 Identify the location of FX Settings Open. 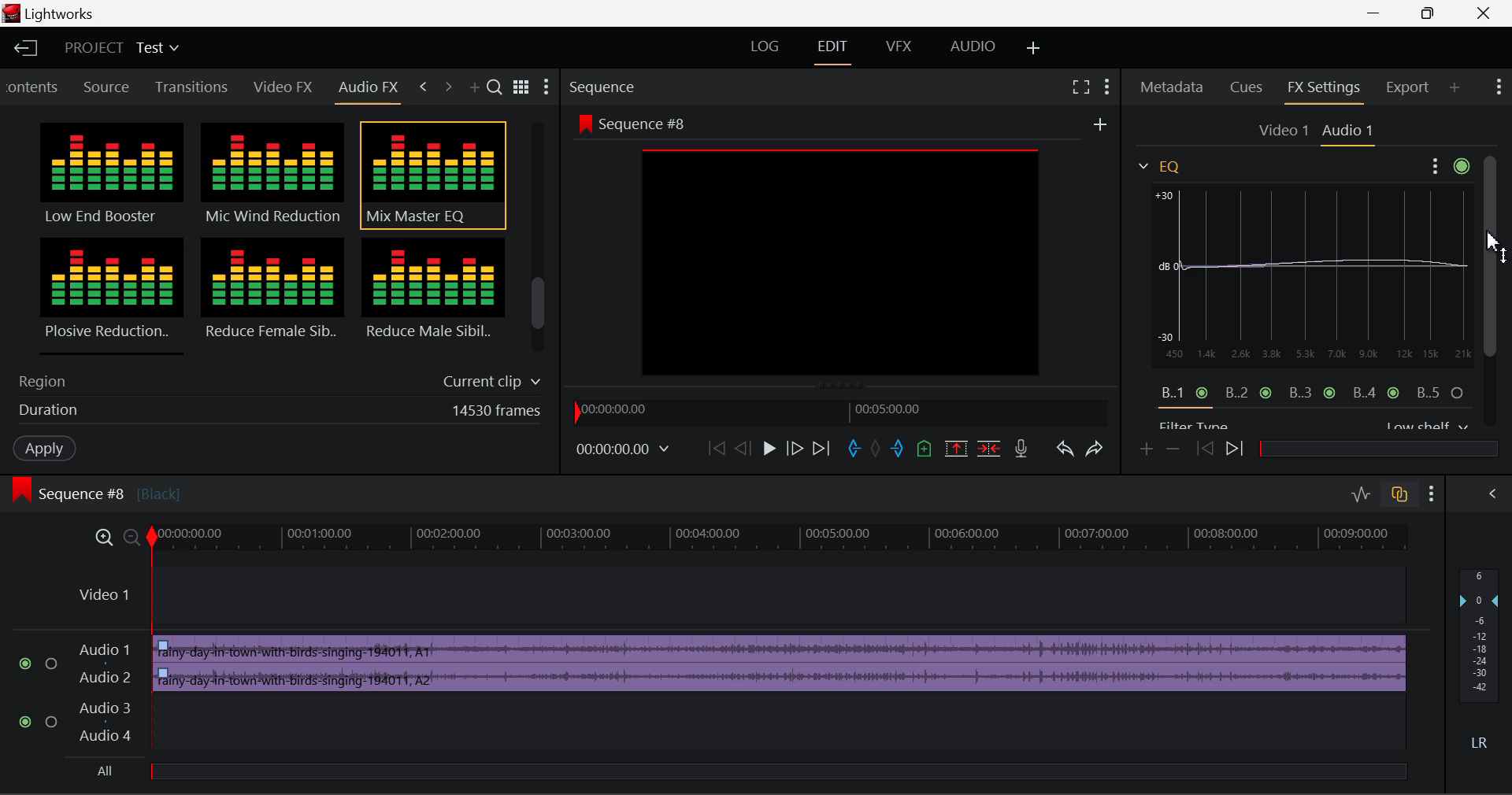
(1325, 91).